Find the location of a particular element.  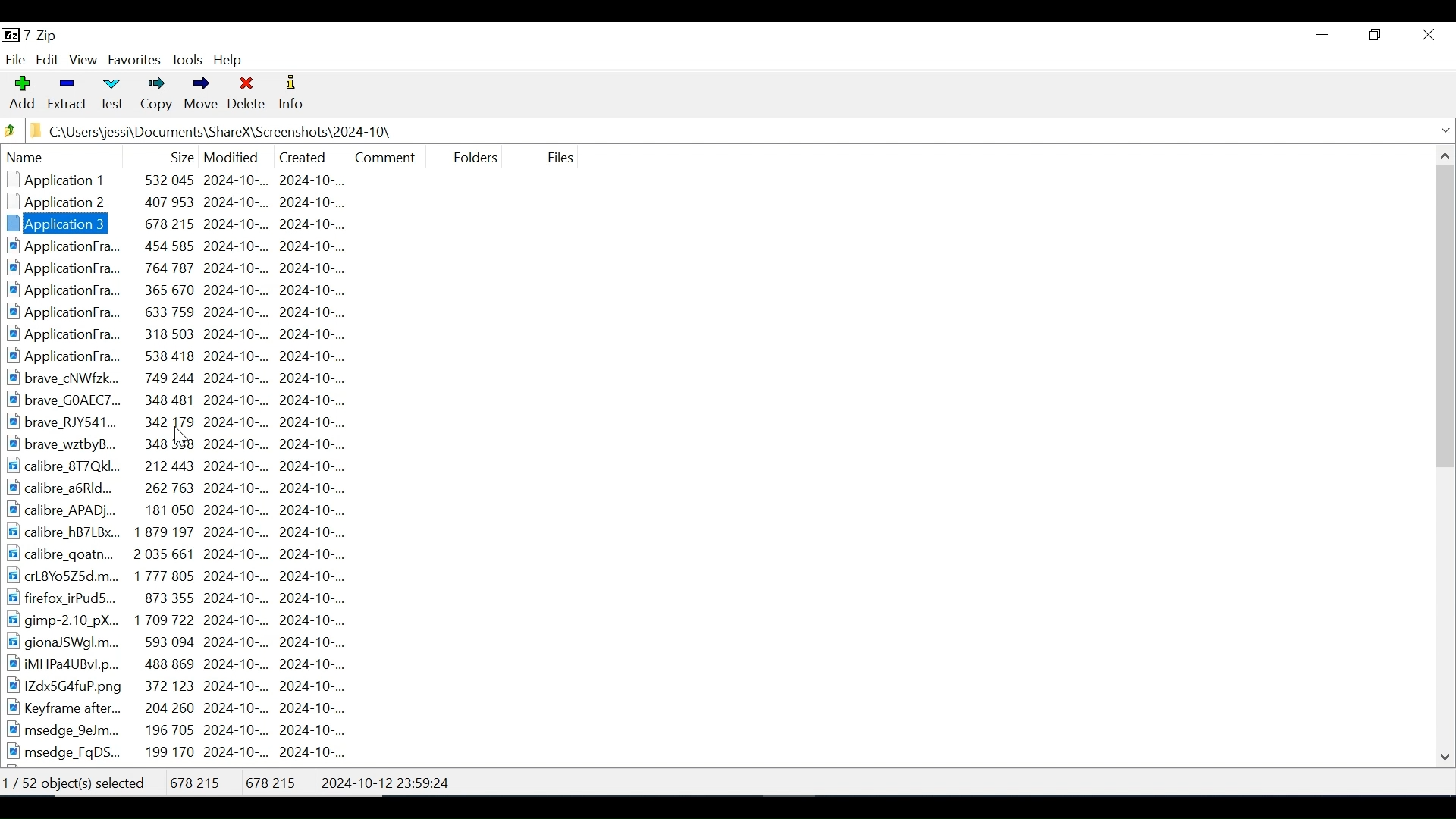

C:\Users\jessi\Documents\ShareX\Screenshots\2024-10\ is located at coordinates (224, 131).